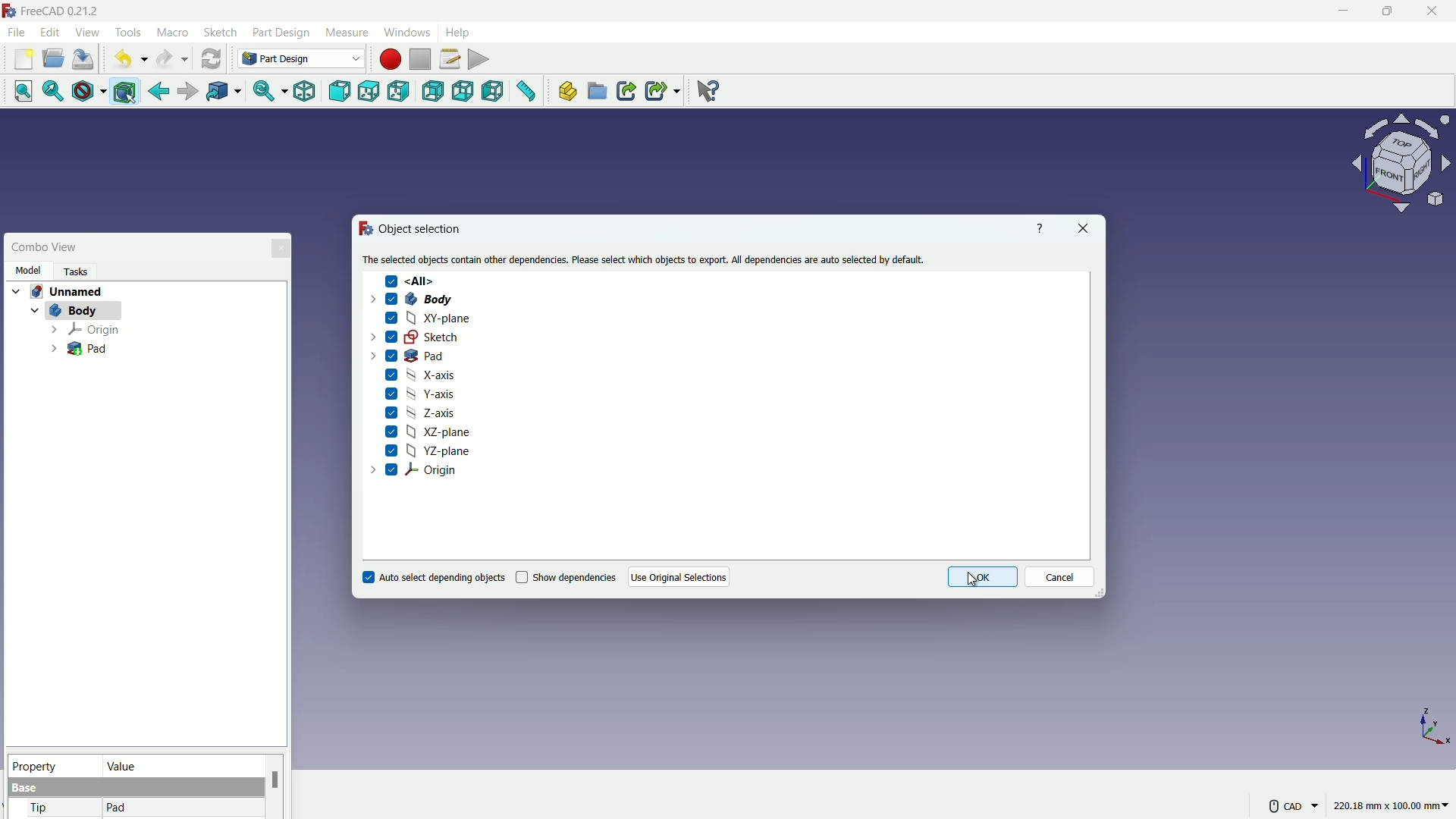 The height and width of the screenshot is (819, 1456). Describe the element at coordinates (428, 450) in the screenshot. I see `YZ-plane` at that location.